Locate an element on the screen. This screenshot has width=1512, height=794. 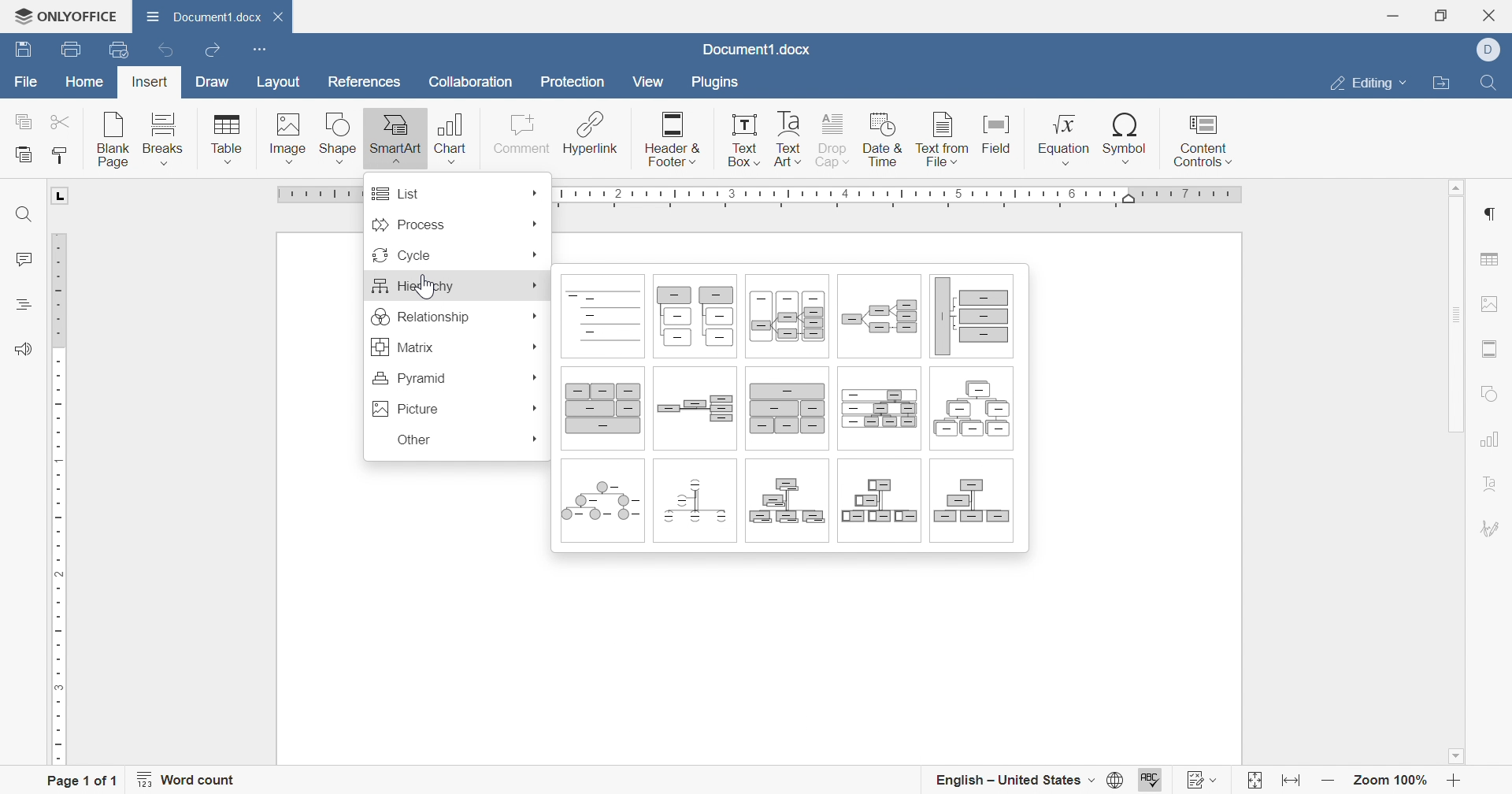
Labeled hierarchy is located at coordinates (878, 410).